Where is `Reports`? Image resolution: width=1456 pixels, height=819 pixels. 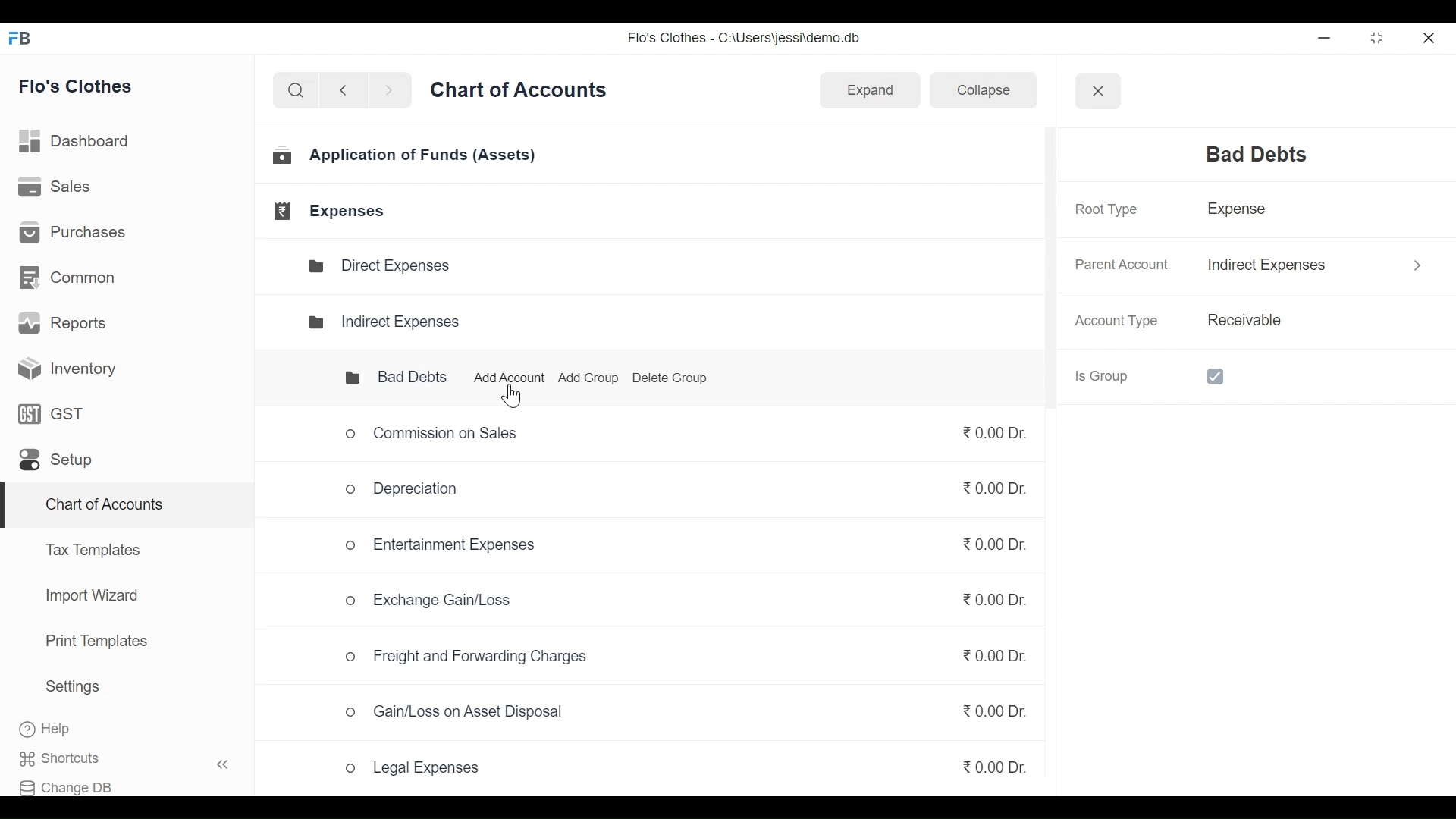 Reports is located at coordinates (65, 326).